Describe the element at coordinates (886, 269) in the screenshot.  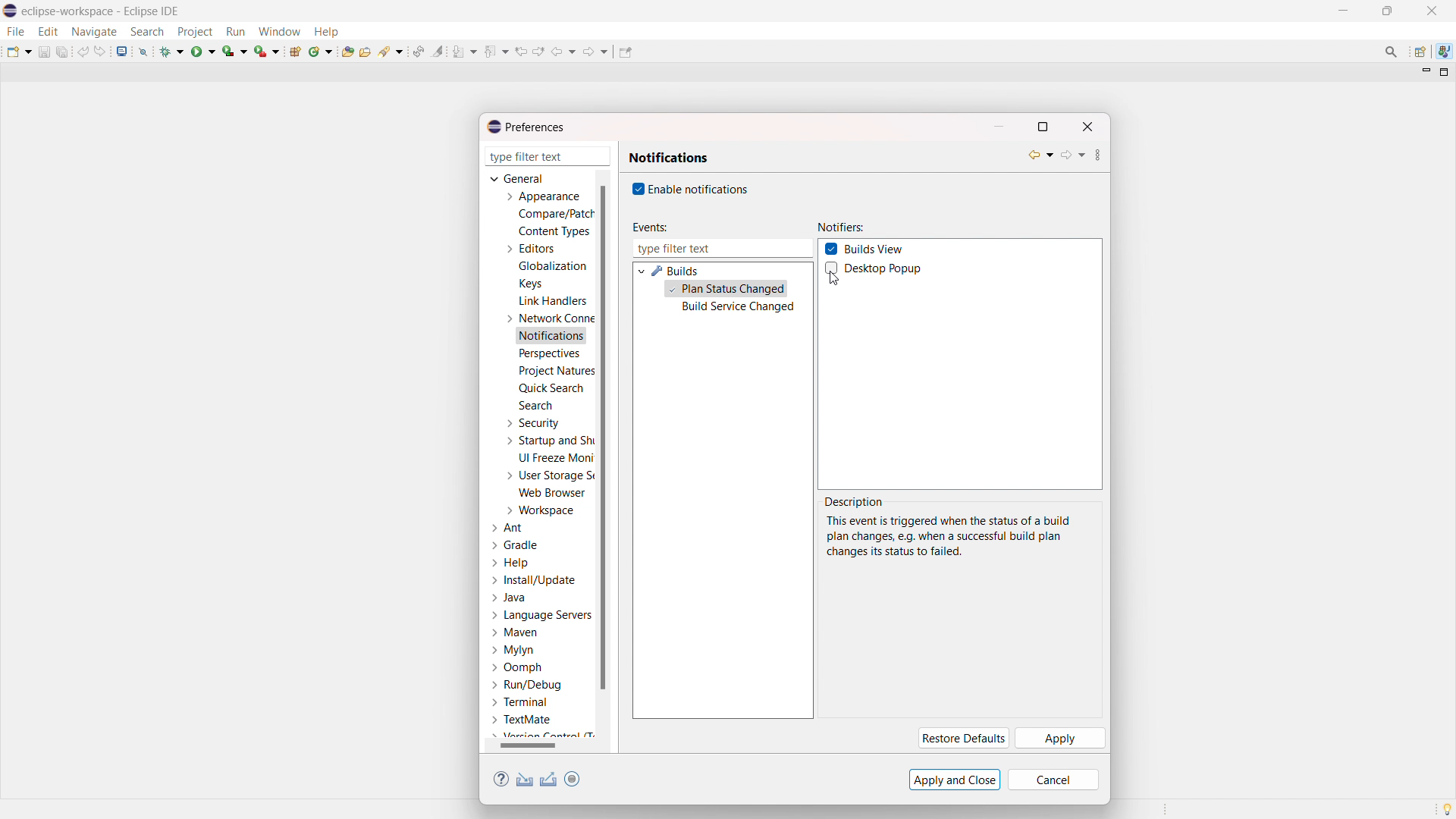
I see `desktop popup checkbox` at that location.